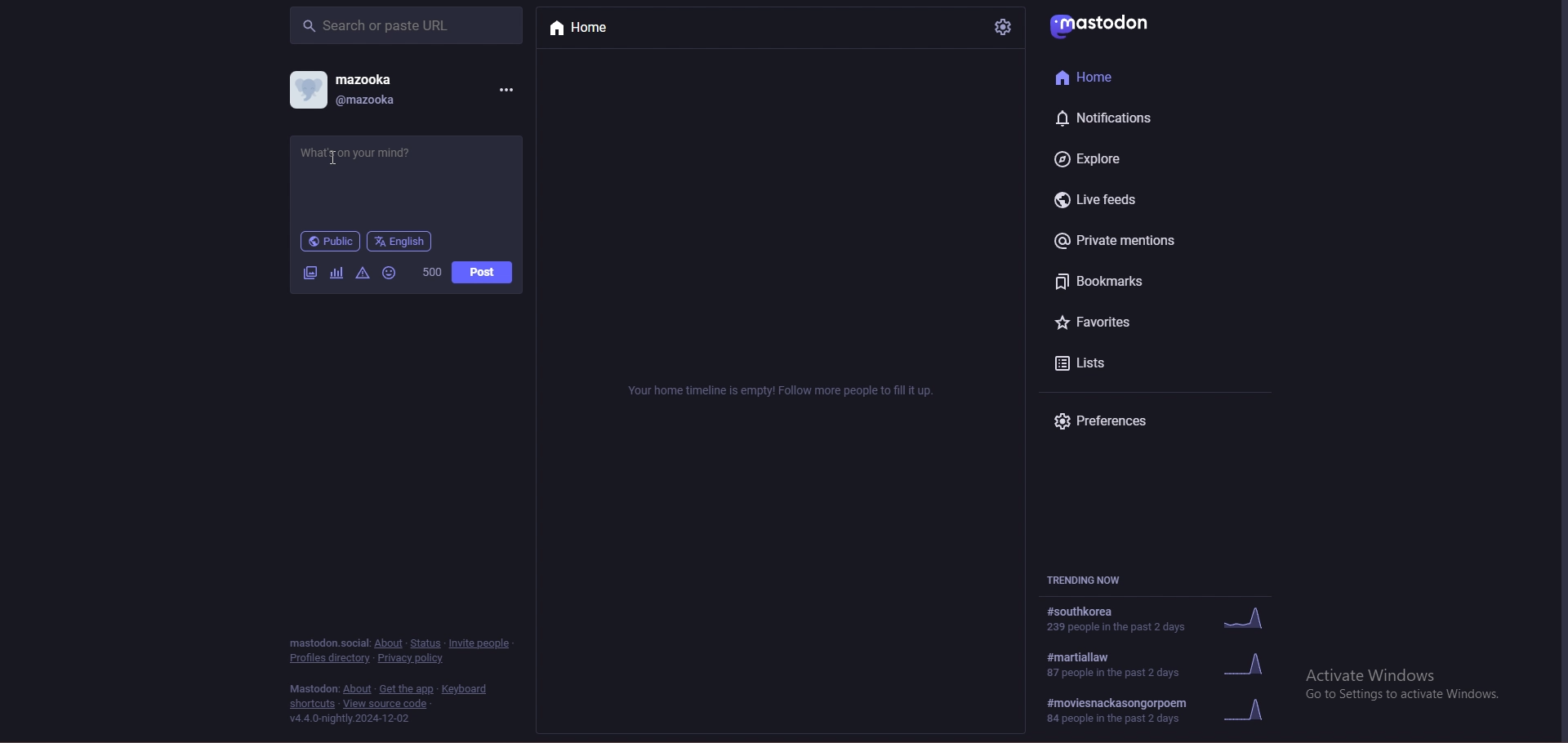 The width and height of the screenshot is (1568, 743). What do you see at coordinates (1119, 422) in the screenshot?
I see `preferences` at bounding box center [1119, 422].